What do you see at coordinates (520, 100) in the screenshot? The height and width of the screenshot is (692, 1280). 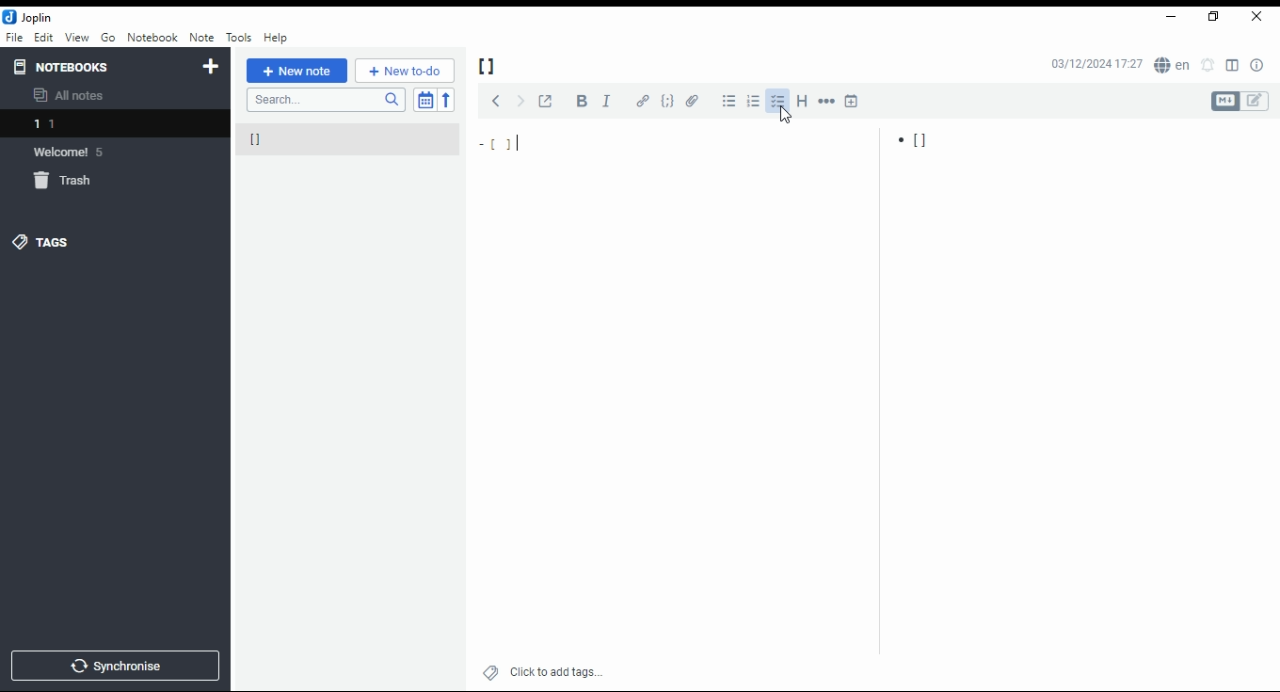 I see `next` at bounding box center [520, 100].